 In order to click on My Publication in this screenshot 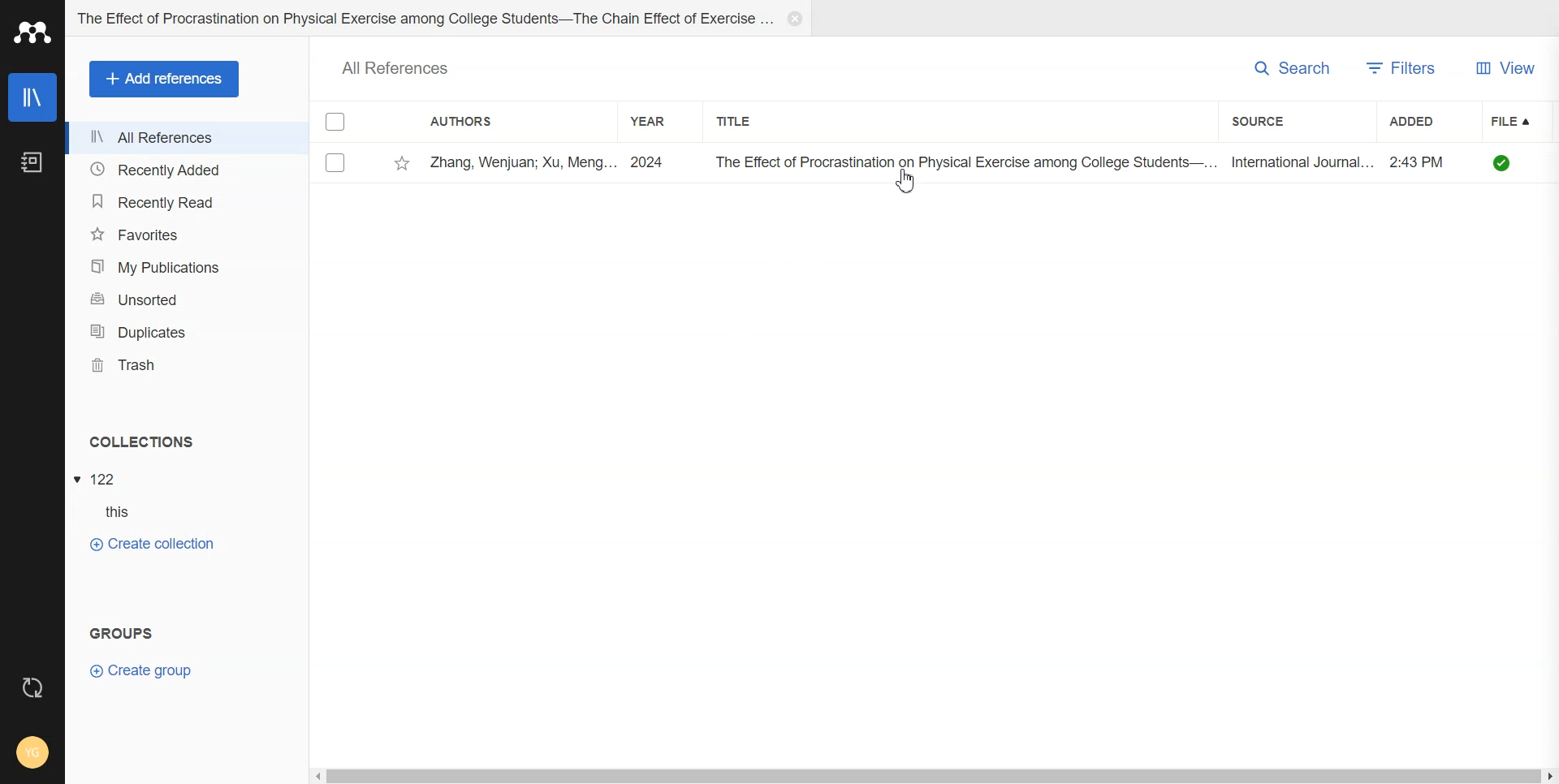, I will do `click(188, 267)`.